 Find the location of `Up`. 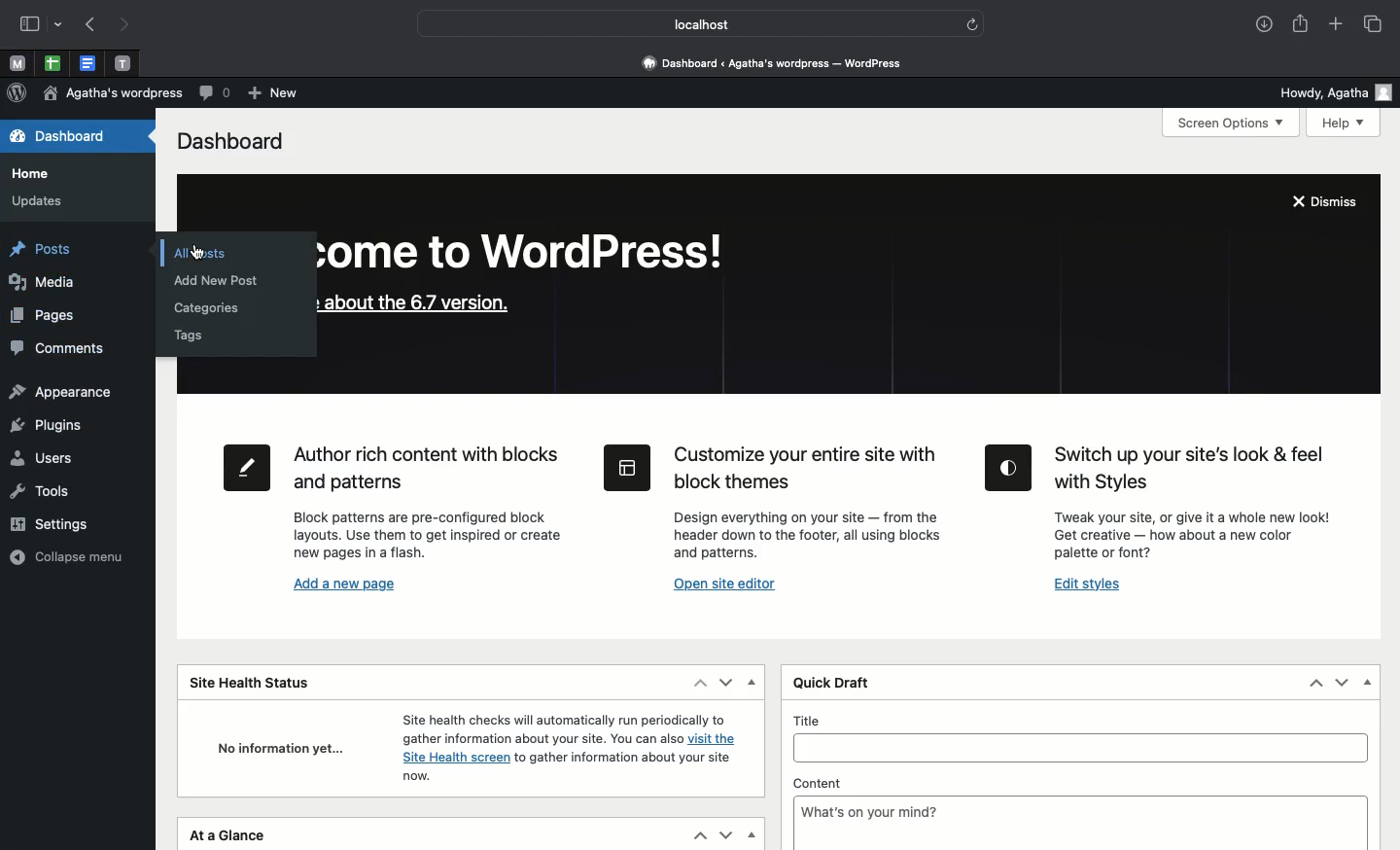

Up is located at coordinates (1317, 683).